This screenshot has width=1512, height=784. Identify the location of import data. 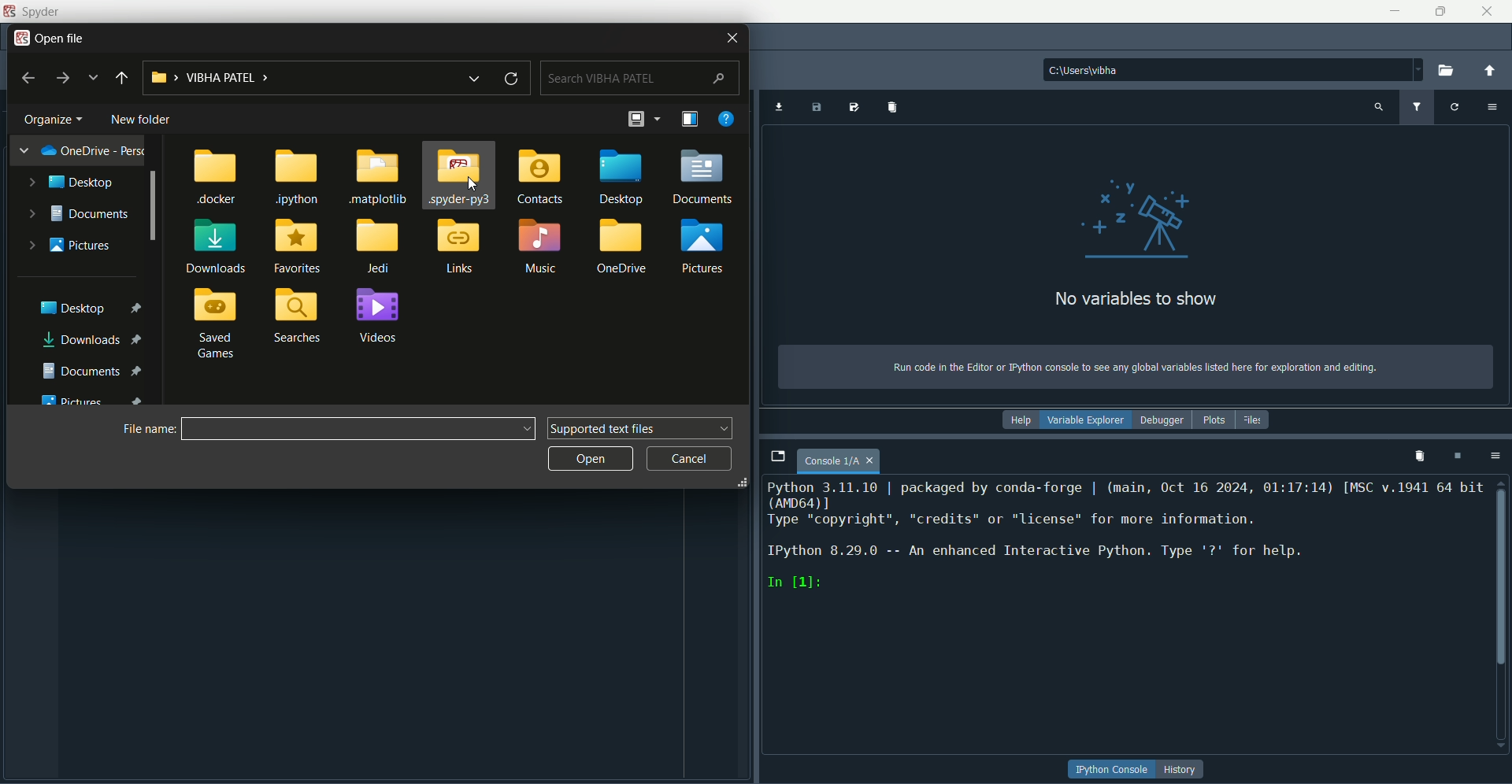
(780, 108).